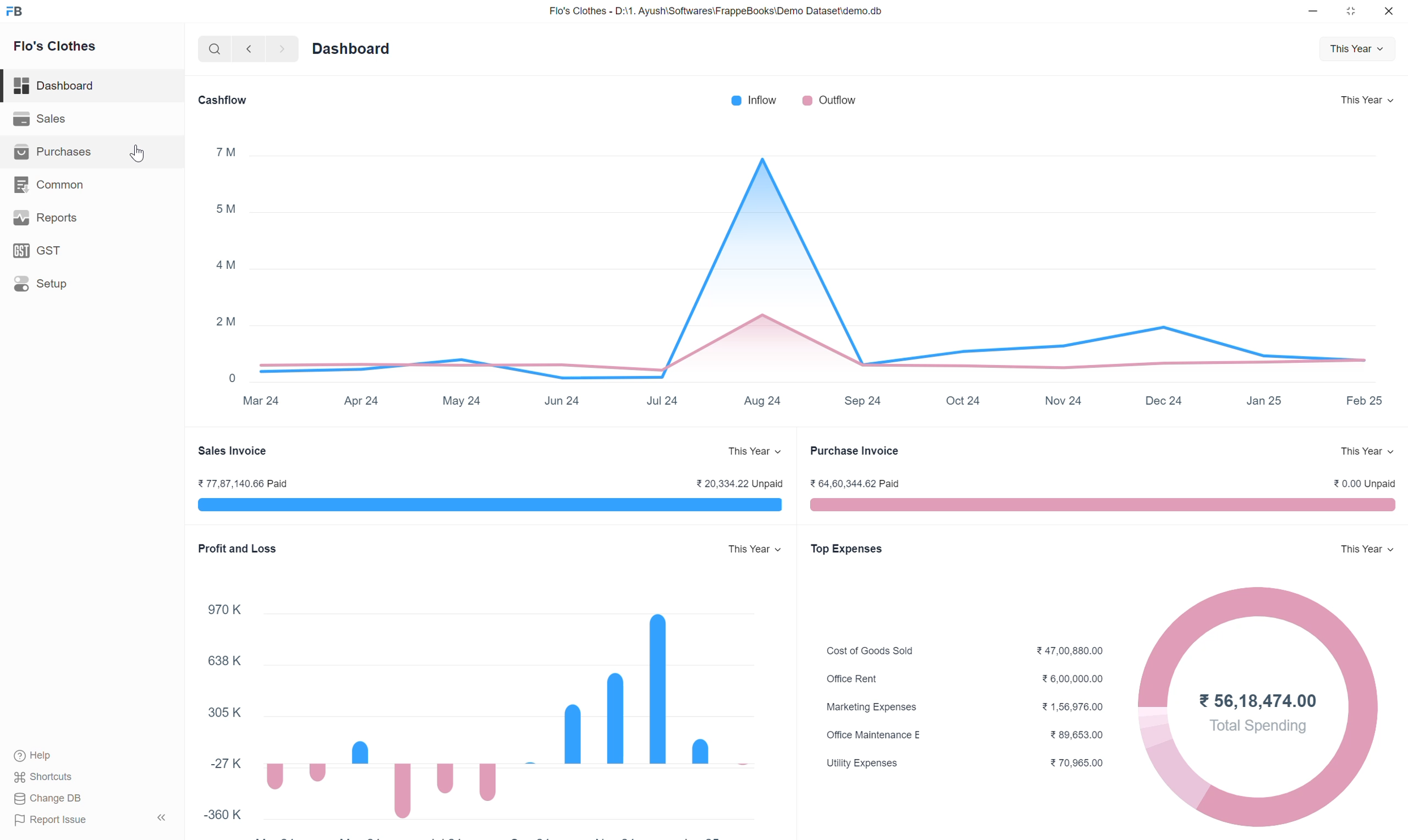 The height and width of the screenshot is (840, 1408). I want to click on 1,56,976.00, so click(1074, 706).